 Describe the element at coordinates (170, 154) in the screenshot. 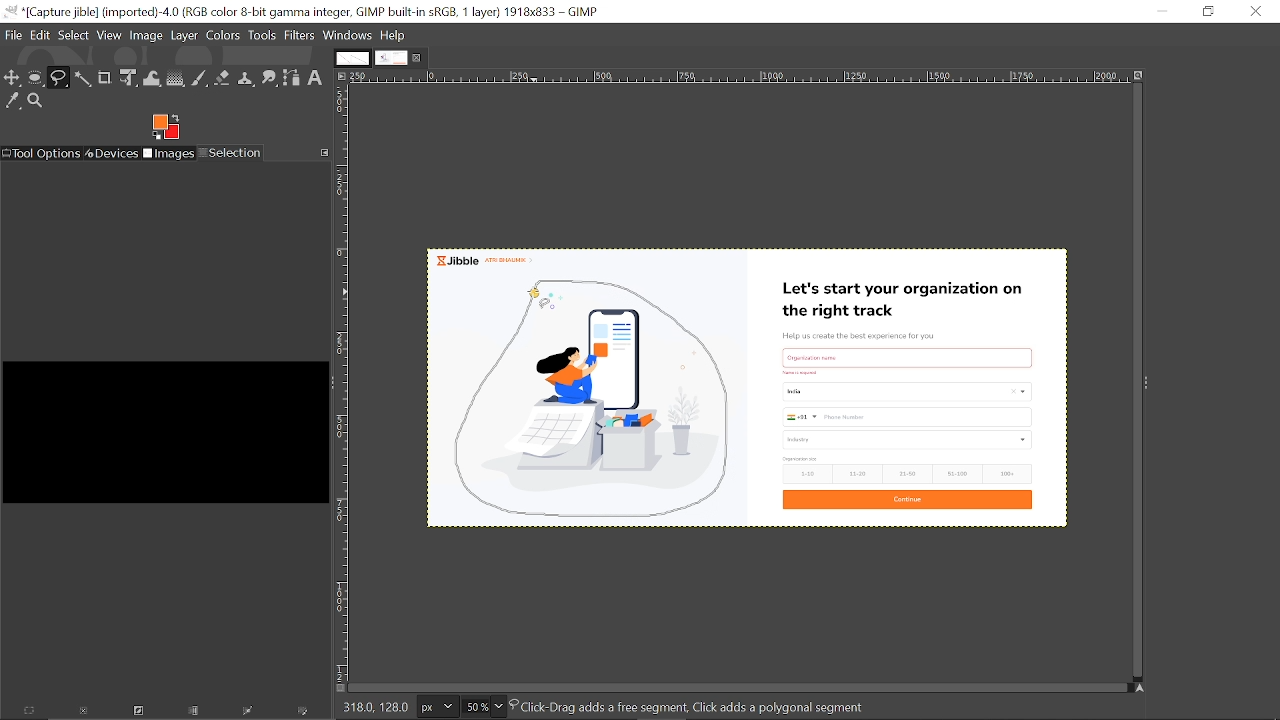

I see `Images` at that location.